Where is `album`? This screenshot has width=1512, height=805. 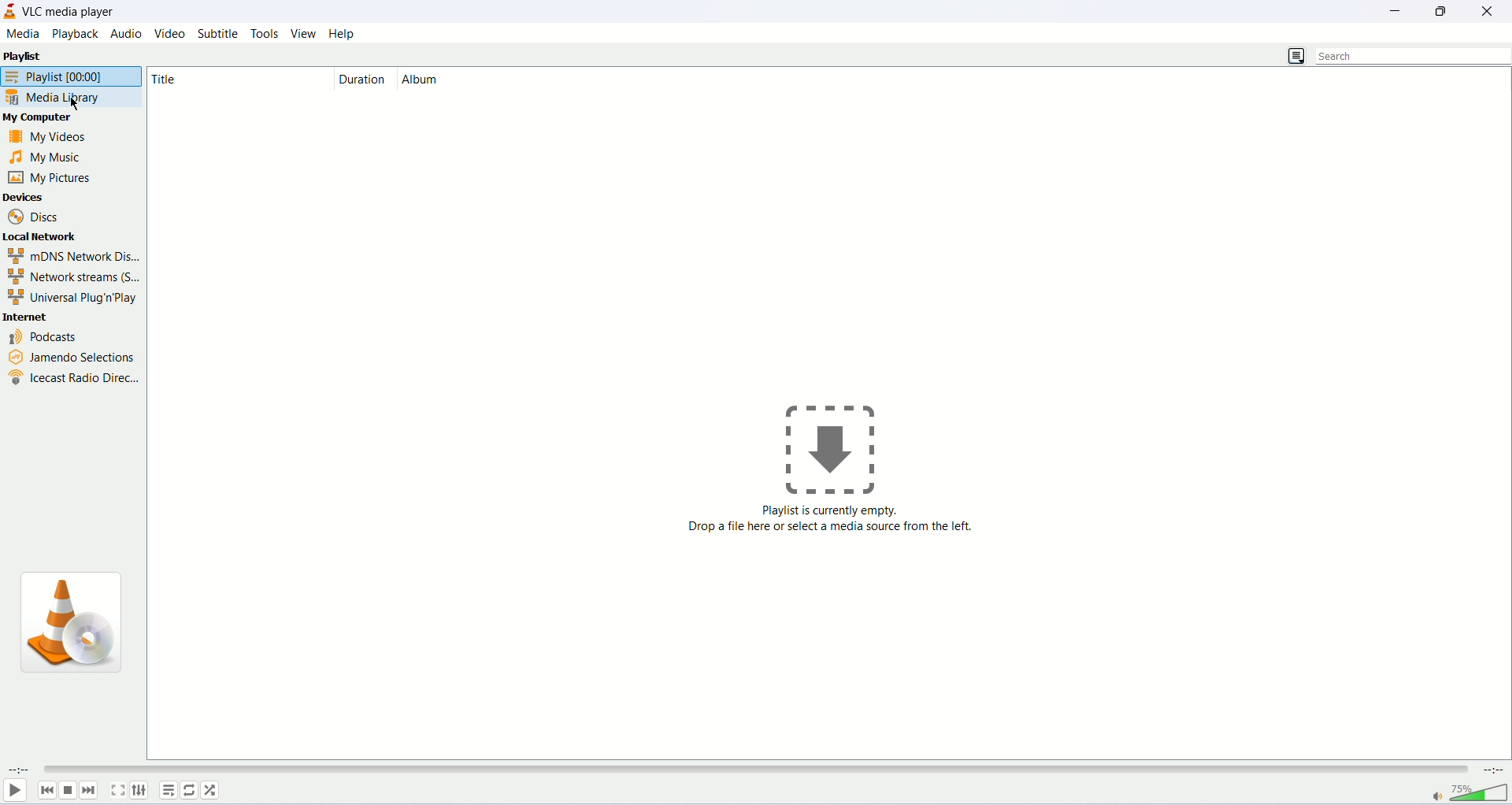
album is located at coordinates (467, 78).